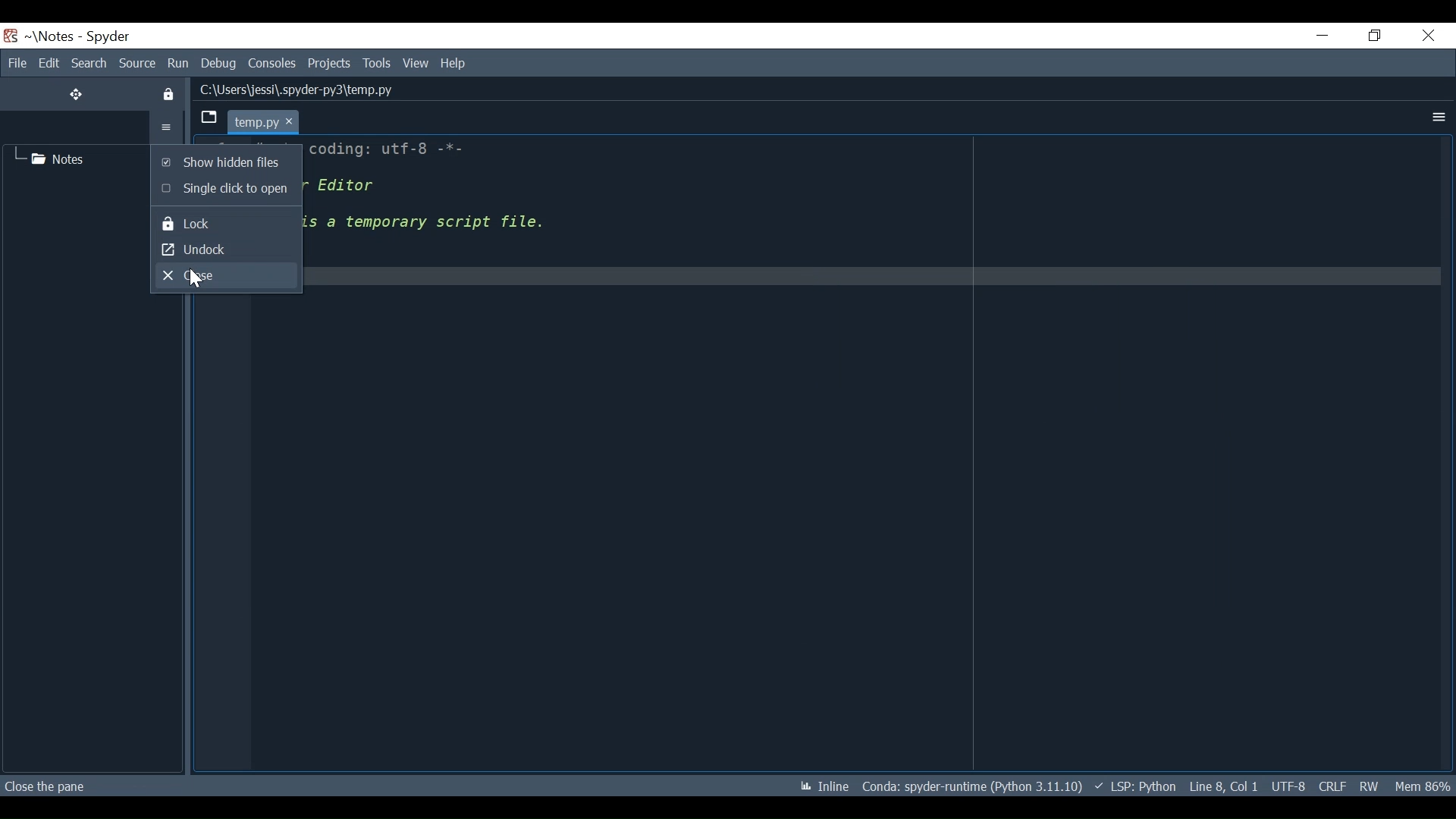  Describe the element at coordinates (974, 789) in the screenshot. I see `Coda: spyder-runtime (Python 3.11.10)` at that location.